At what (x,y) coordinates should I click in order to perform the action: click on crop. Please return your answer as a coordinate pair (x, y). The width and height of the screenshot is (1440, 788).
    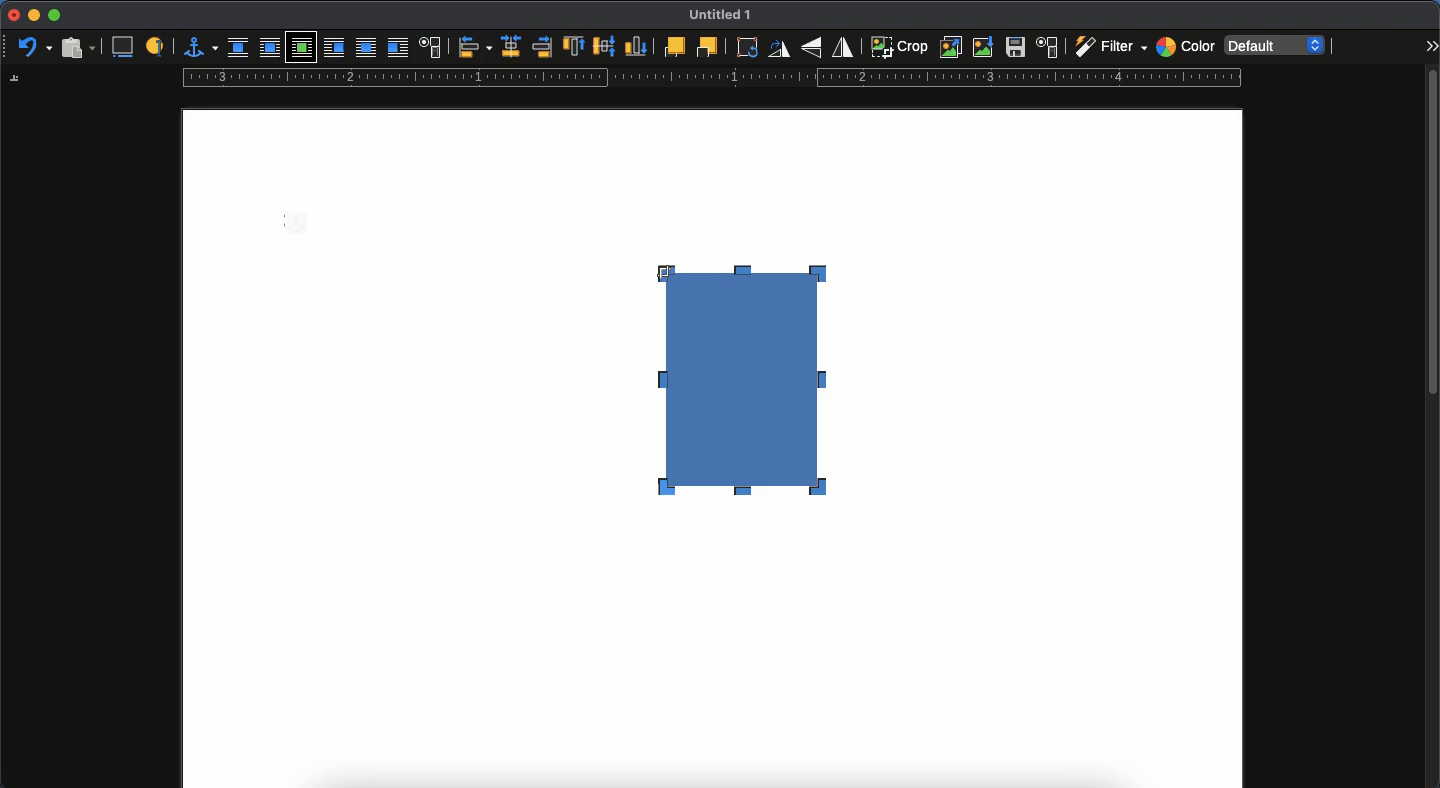
    Looking at the image, I should click on (899, 46).